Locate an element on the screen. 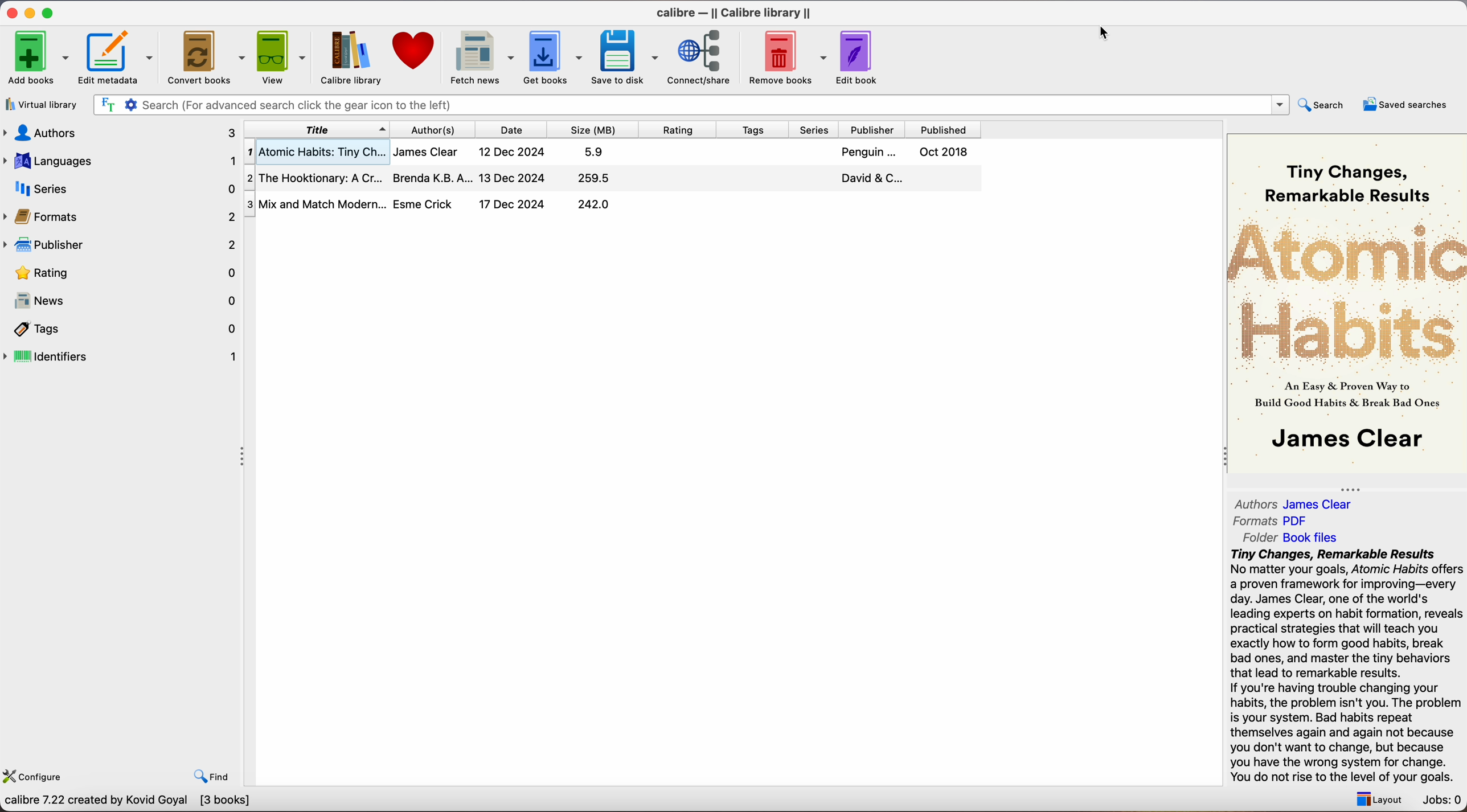 The image size is (1467, 812). configure is located at coordinates (36, 774).